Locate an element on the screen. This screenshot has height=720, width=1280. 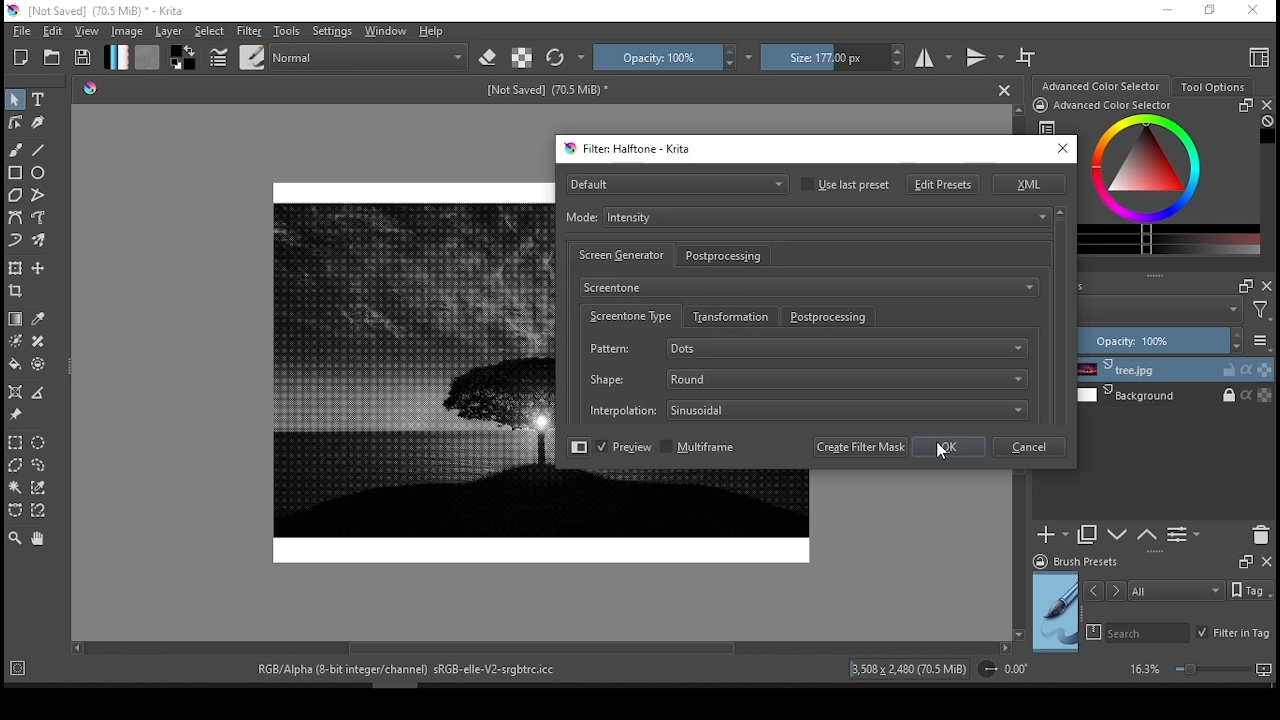
XML is located at coordinates (1029, 184).